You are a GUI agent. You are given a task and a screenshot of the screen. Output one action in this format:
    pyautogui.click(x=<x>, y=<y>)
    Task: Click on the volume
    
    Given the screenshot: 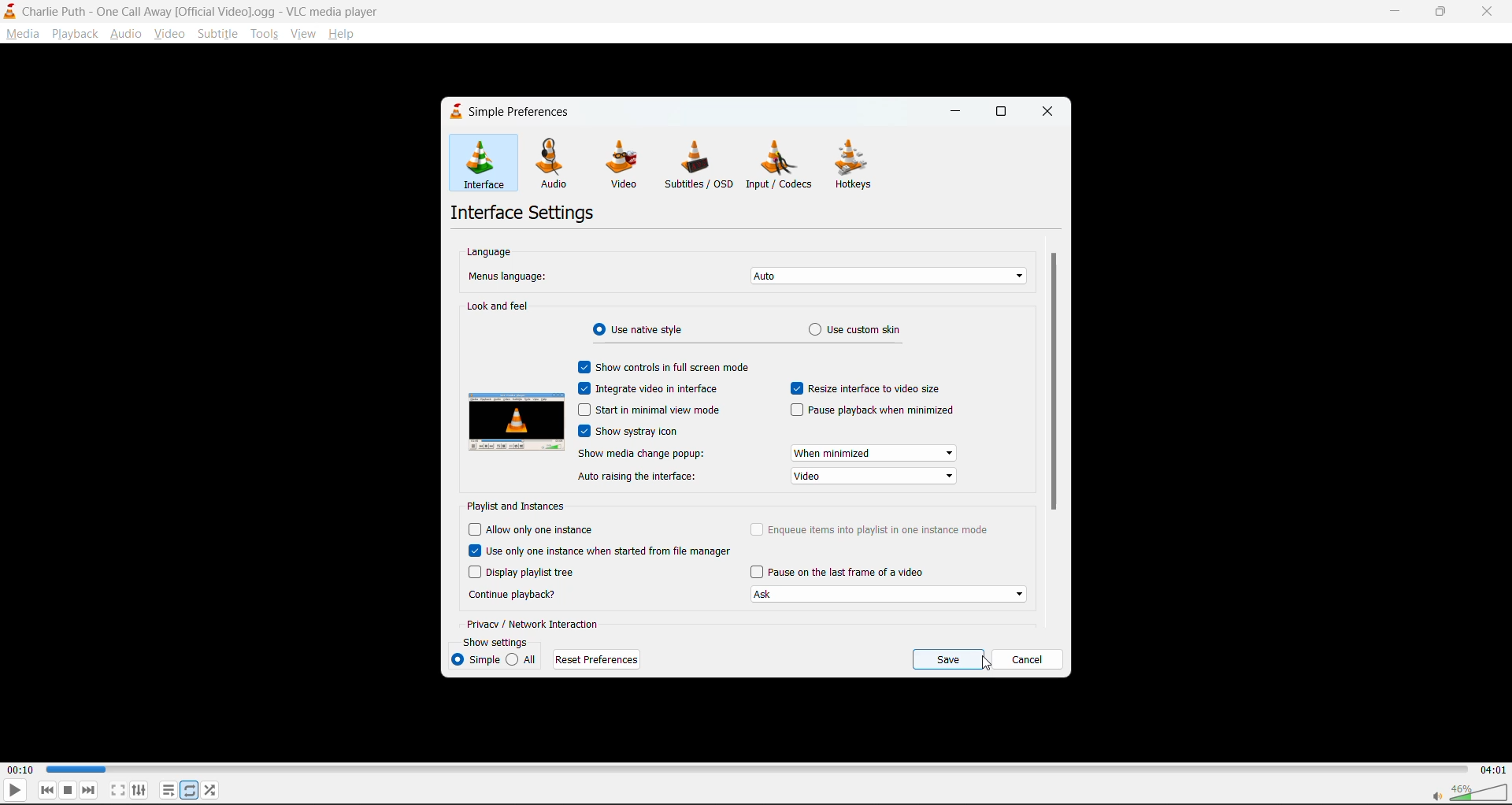 What is the action you would take?
    pyautogui.click(x=1465, y=791)
    